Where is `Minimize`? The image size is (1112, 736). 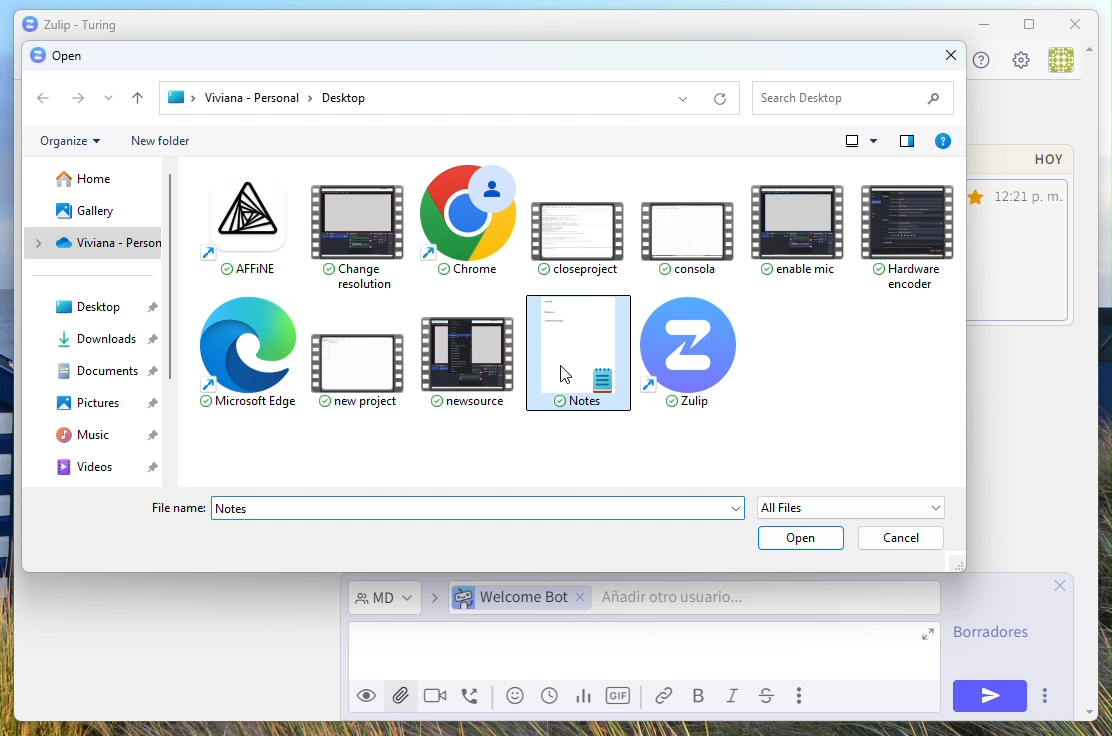
Minimize is located at coordinates (983, 24).